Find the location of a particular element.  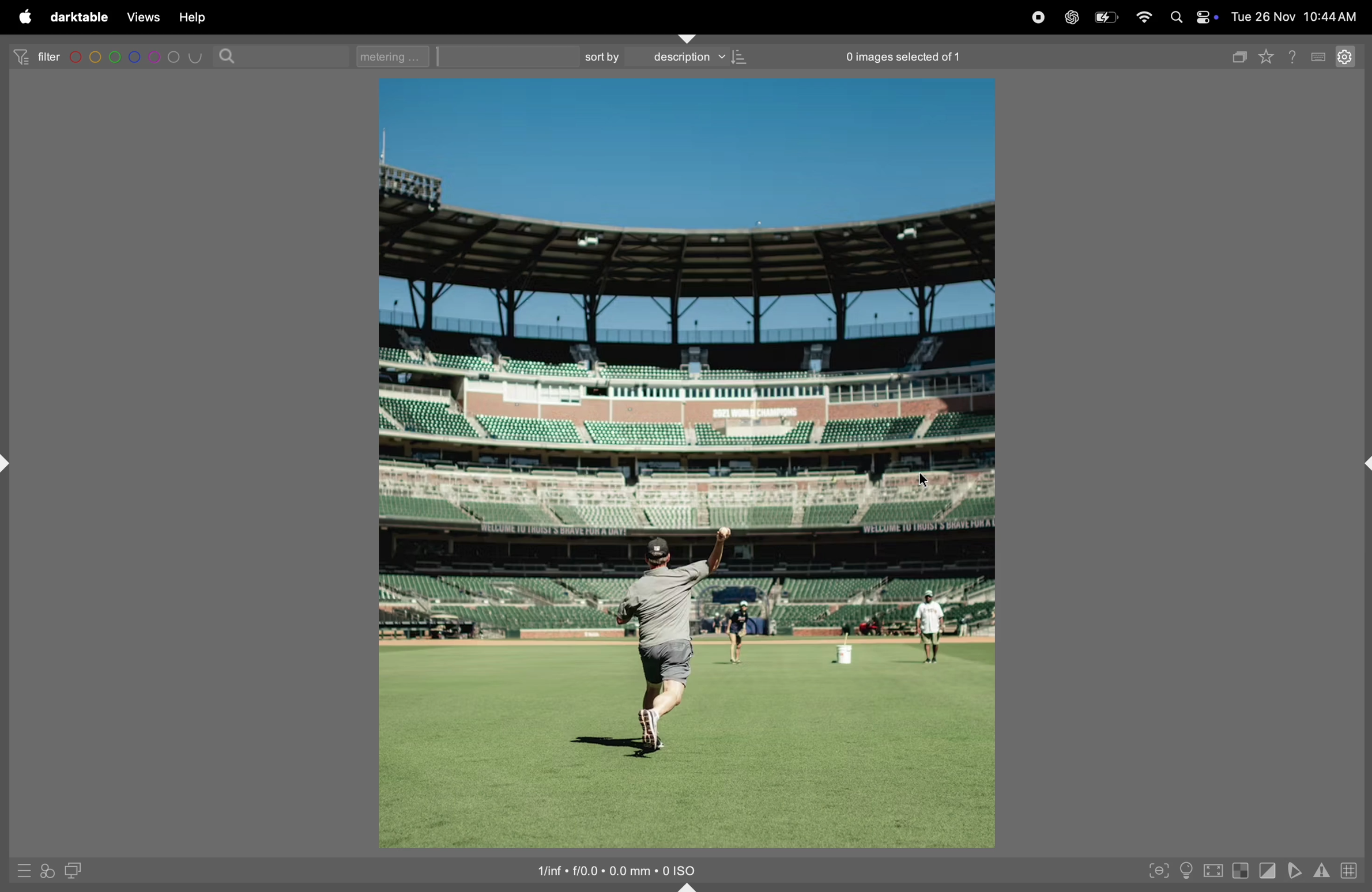

toggle cliping indications is located at coordinates (1267, 869).